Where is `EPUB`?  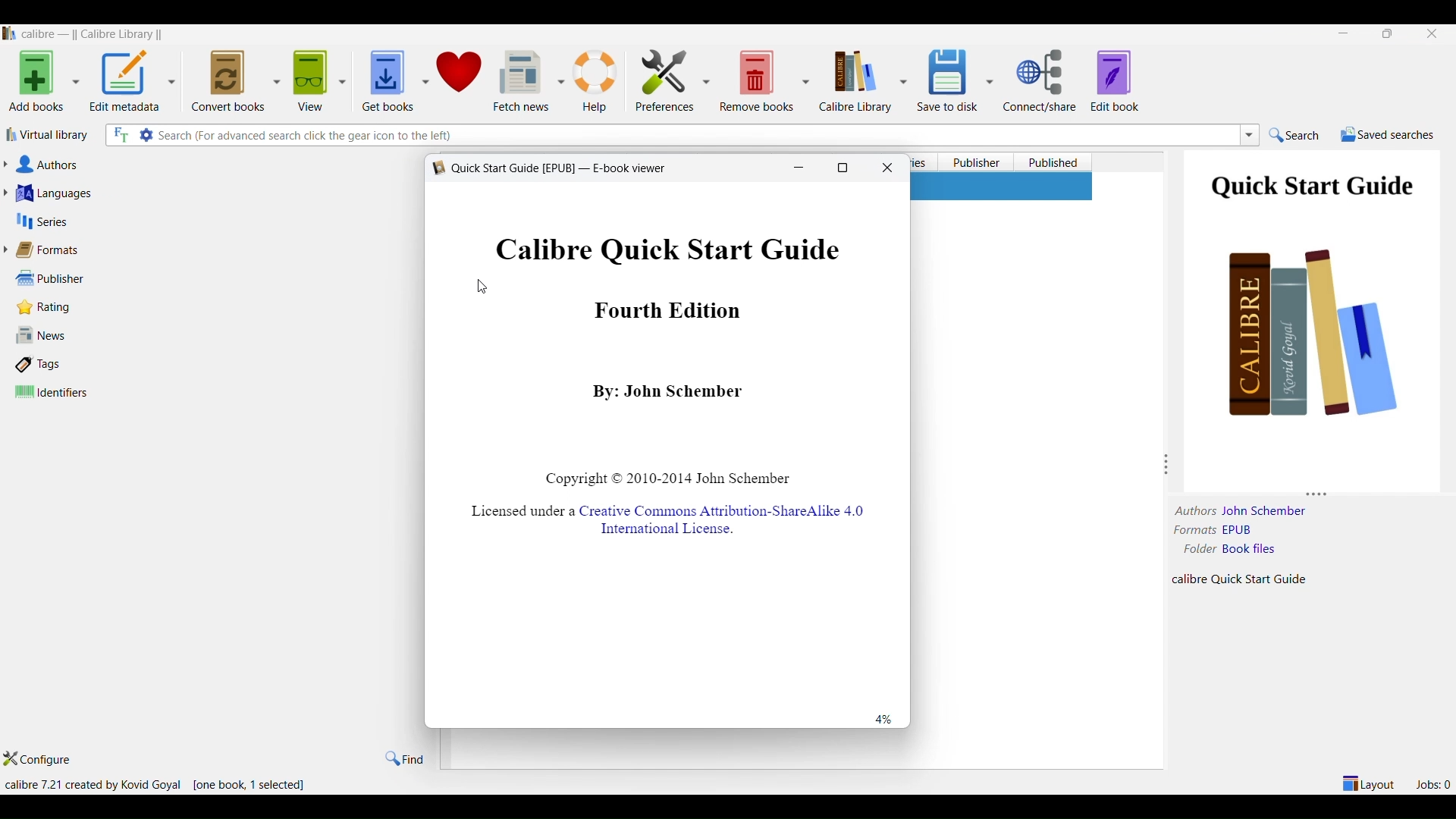
EPUB is located at coordinates (1275, 532).